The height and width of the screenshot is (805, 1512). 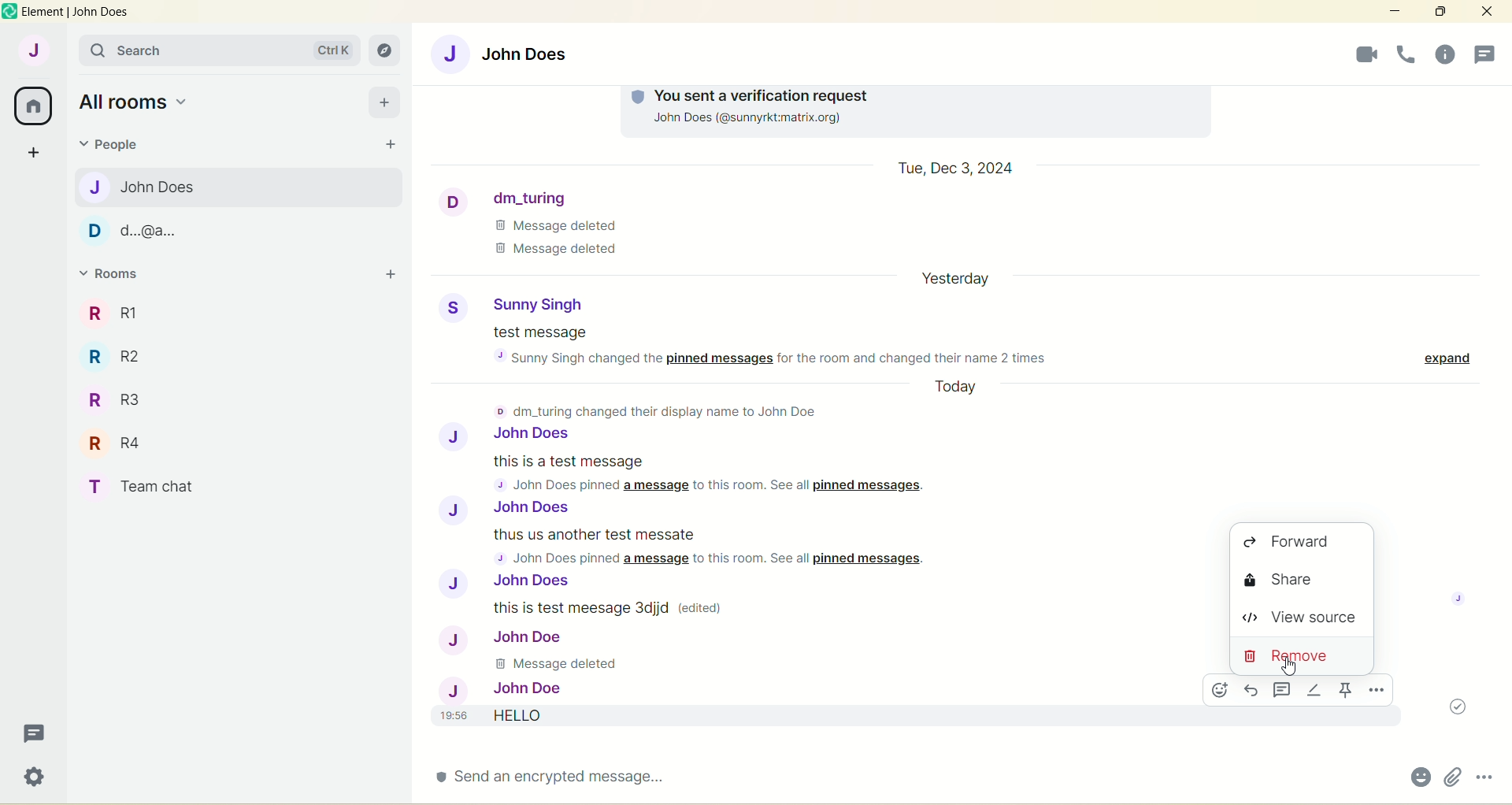 I want to click on Message deleted, so click(x=564, y=665).